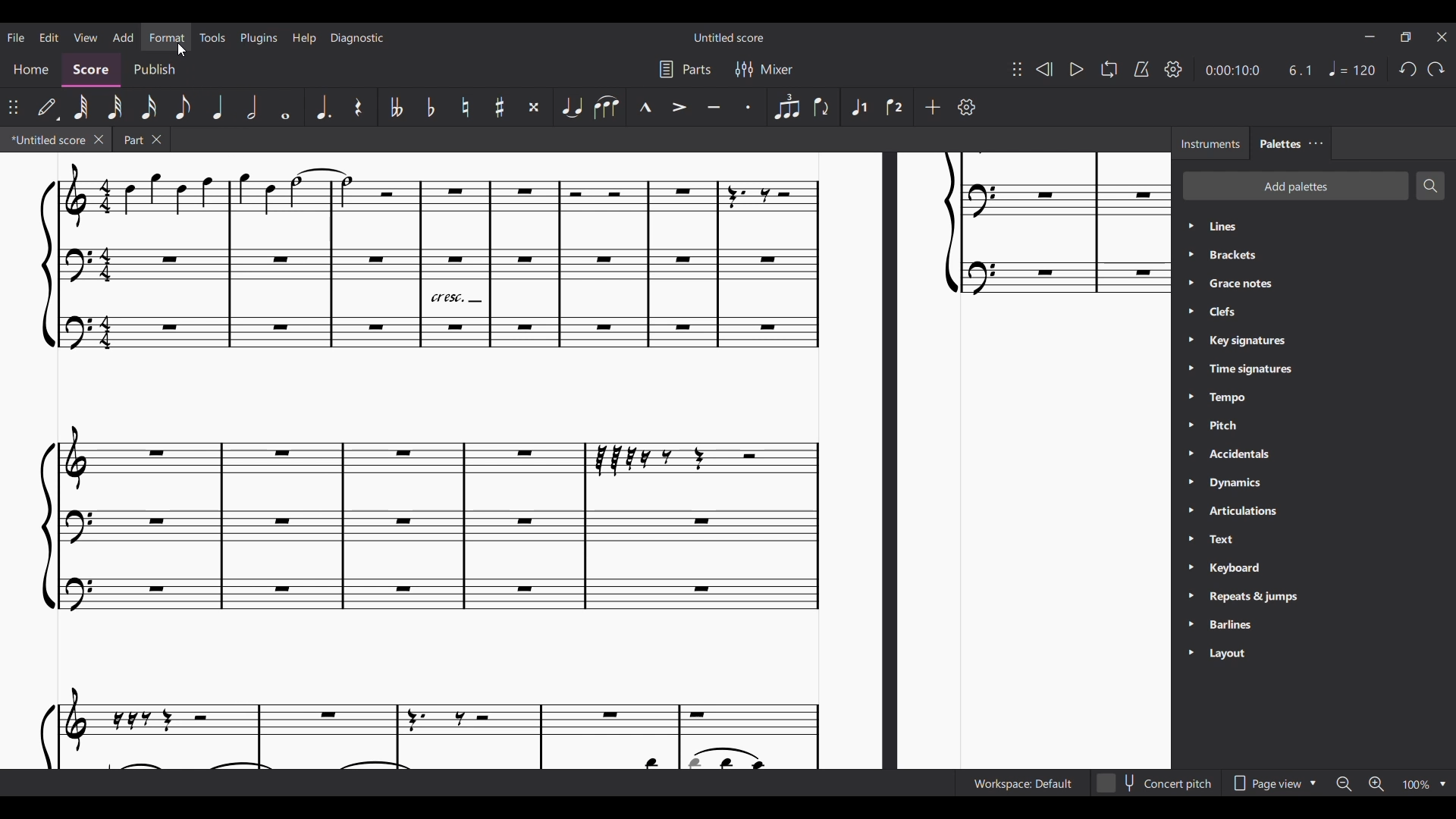 The width and height of the screenshot is (1456, 819). I want to click on Minimize, so click(1370, 36).